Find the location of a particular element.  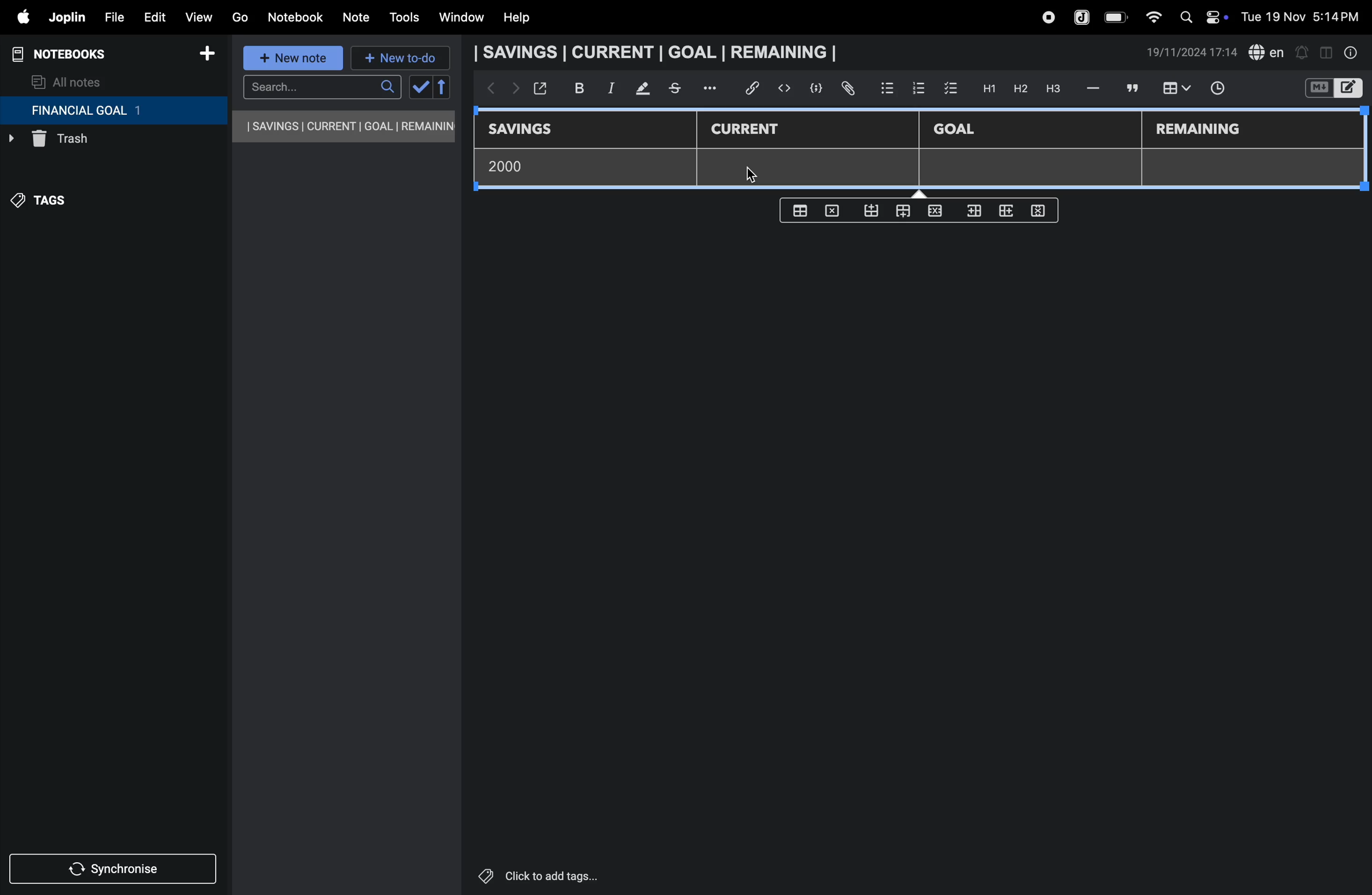

trash is located at coordinates (89, 142).